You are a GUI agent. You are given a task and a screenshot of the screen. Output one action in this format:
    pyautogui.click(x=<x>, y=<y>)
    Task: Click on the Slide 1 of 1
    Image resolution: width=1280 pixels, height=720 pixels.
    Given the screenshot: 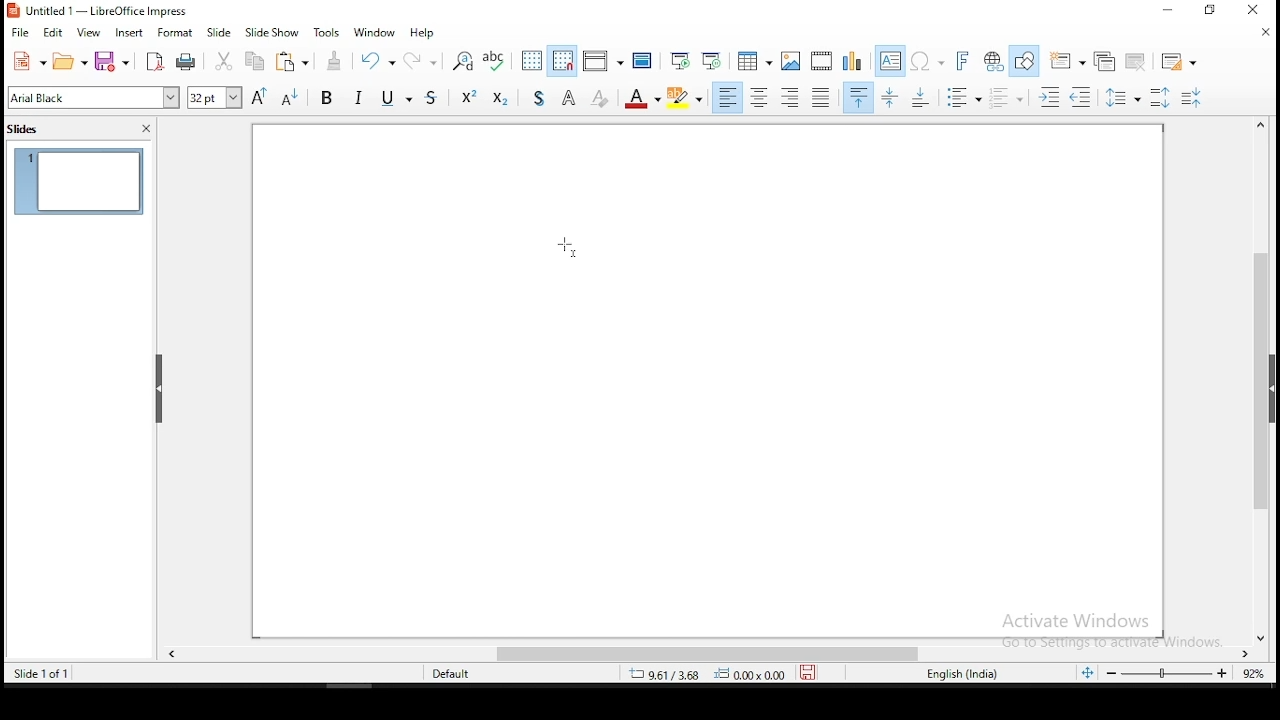 What is the action you would take?
    pyautogui.click(x=38, y=672)
    